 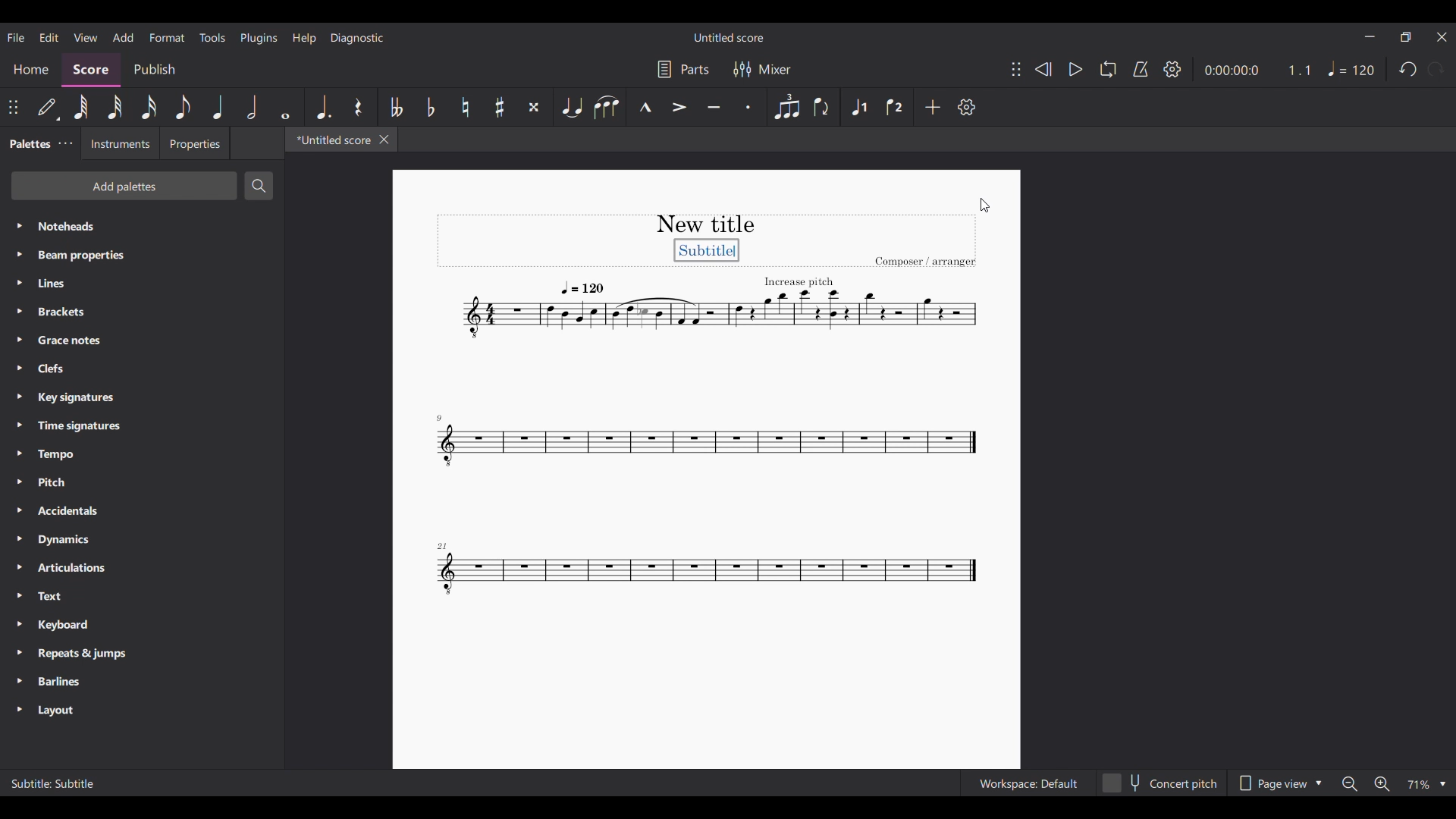 I want to click on Clefs, so click(x=142, y=368).